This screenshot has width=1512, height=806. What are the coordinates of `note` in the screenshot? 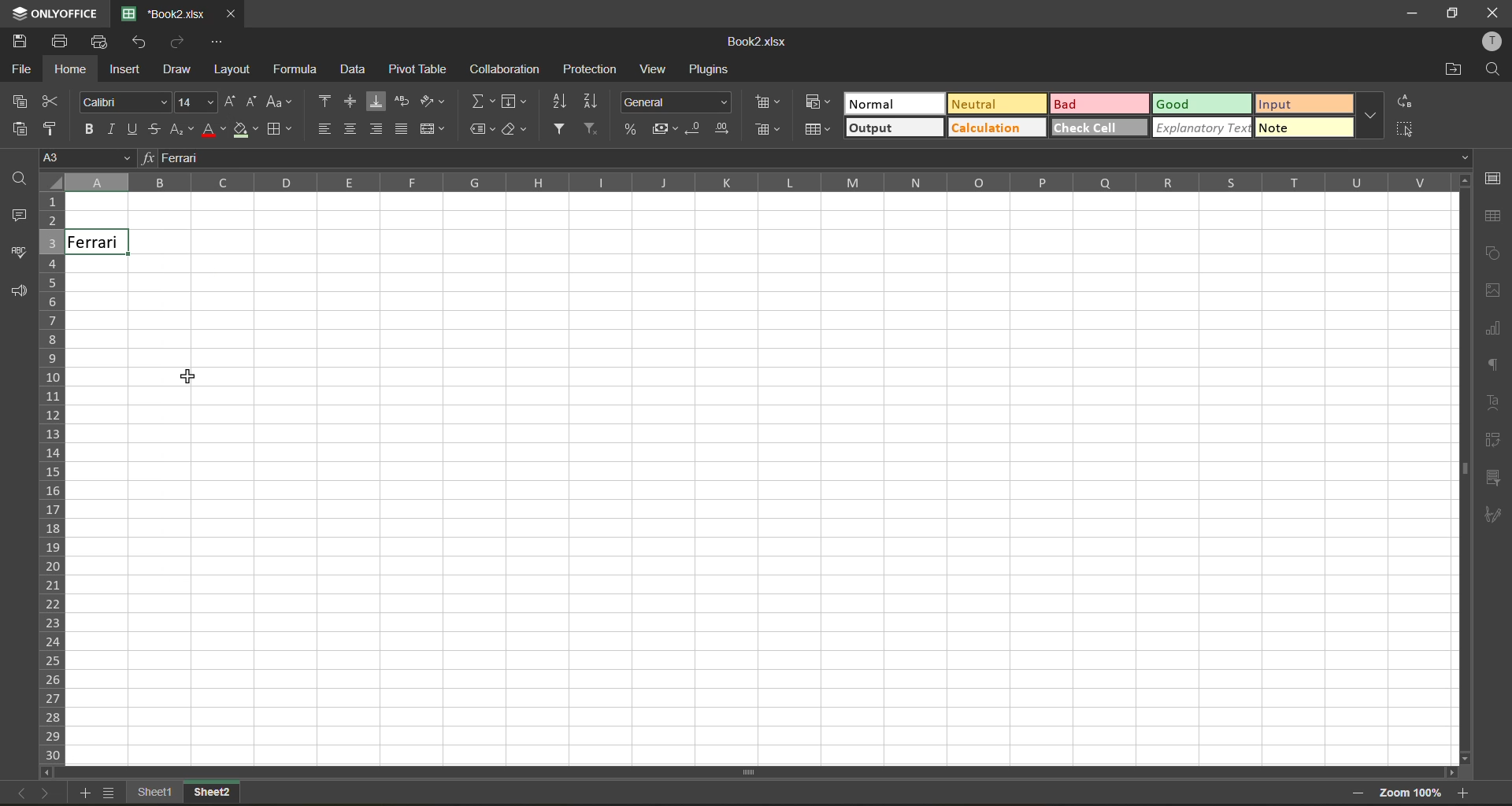 It's located at (1308, 128).